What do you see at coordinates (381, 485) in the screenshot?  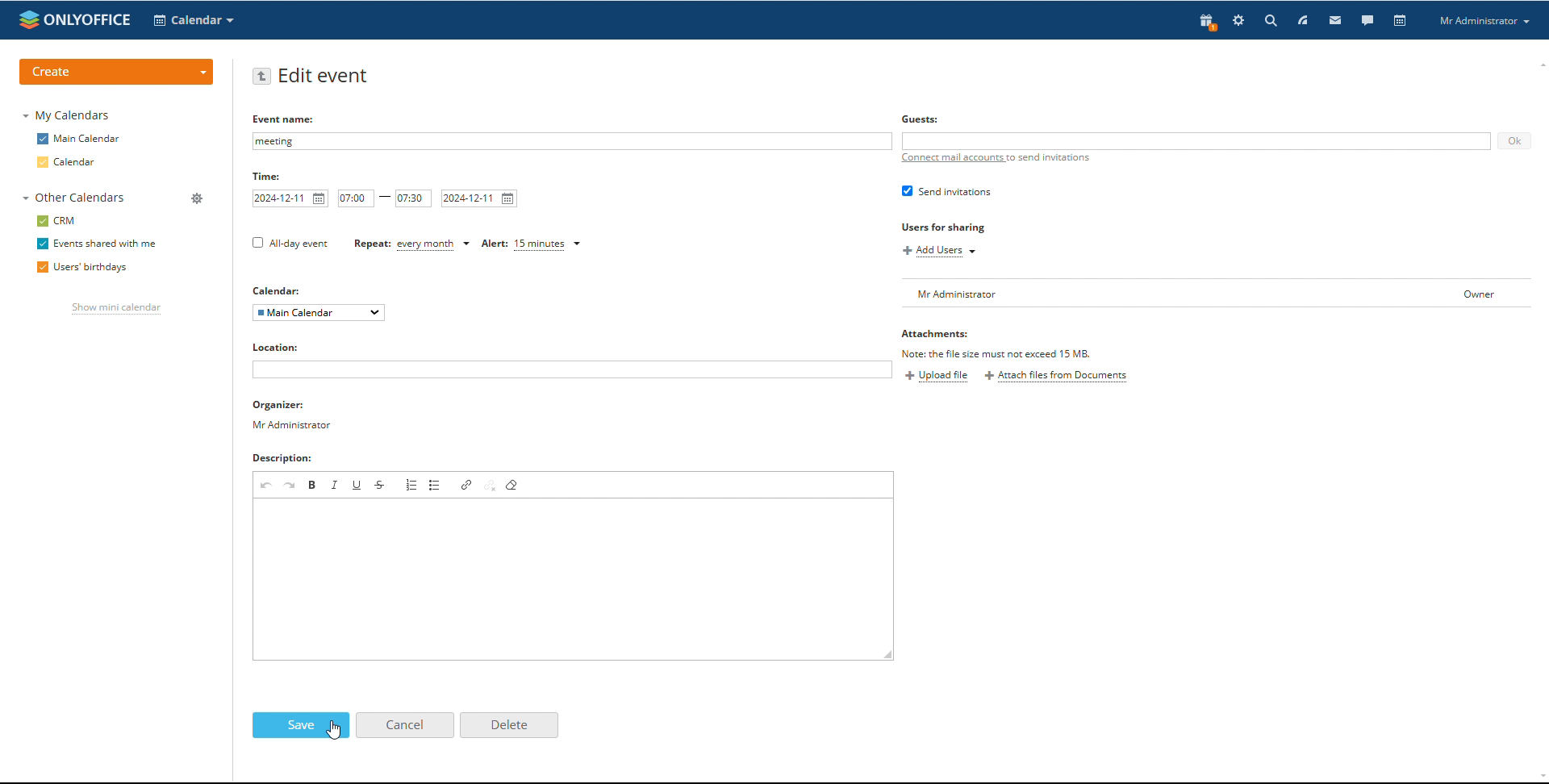 I see `strikethrough` at bounding box center [381, 485].